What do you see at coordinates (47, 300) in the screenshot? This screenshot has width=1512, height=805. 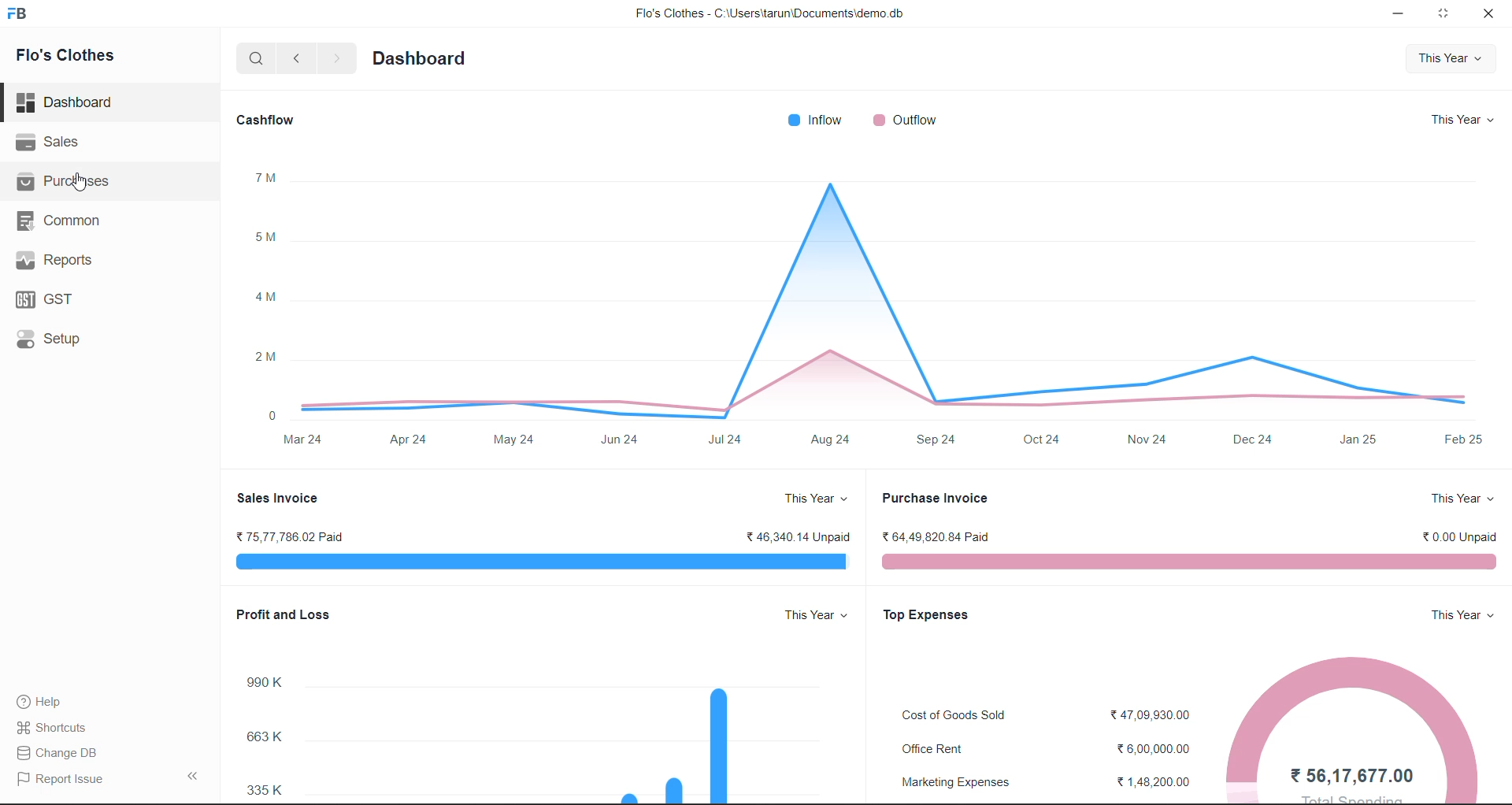 I see `GST` at bounding box center [47, 300].